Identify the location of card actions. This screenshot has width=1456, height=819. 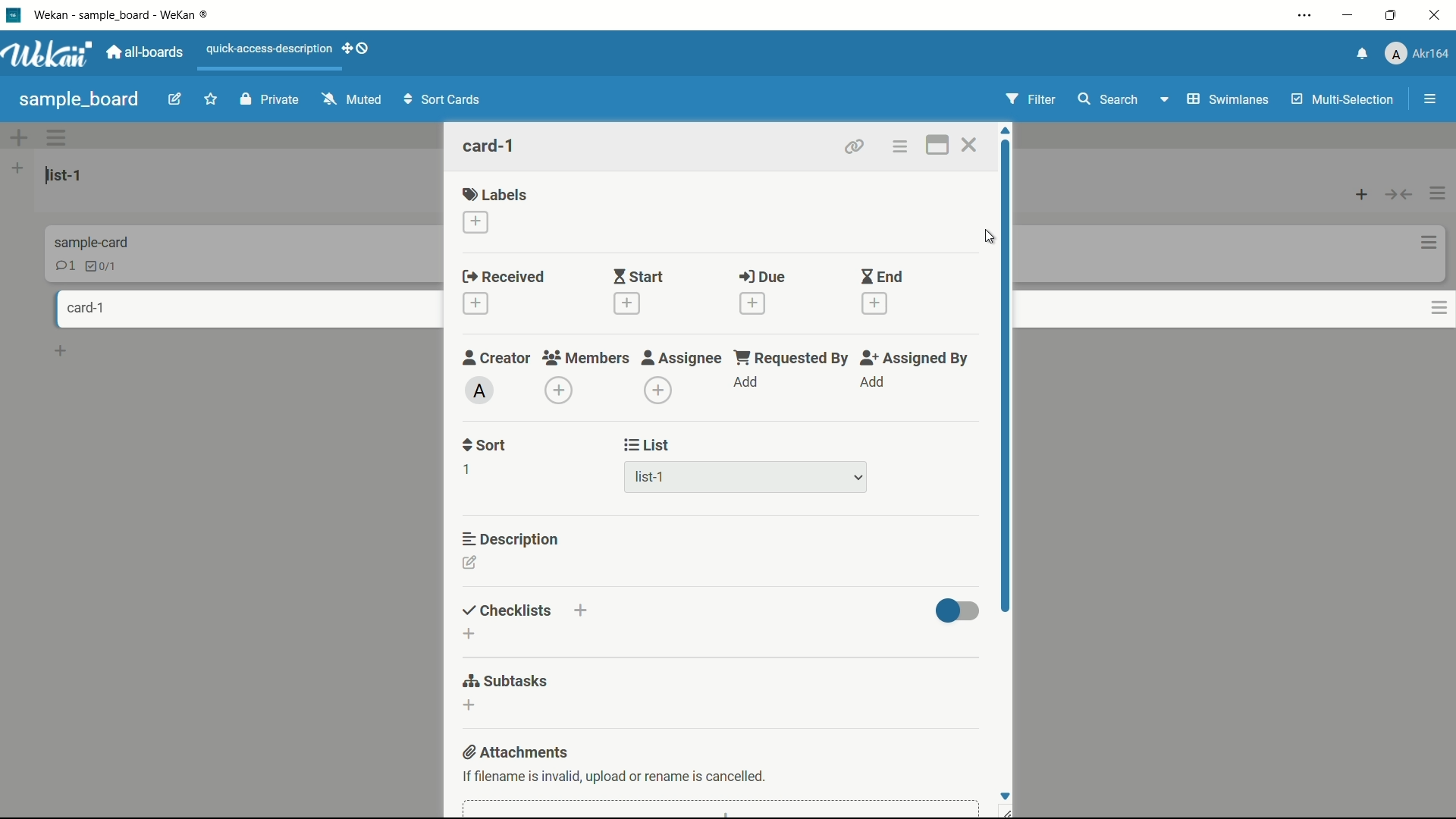
(945, 169).